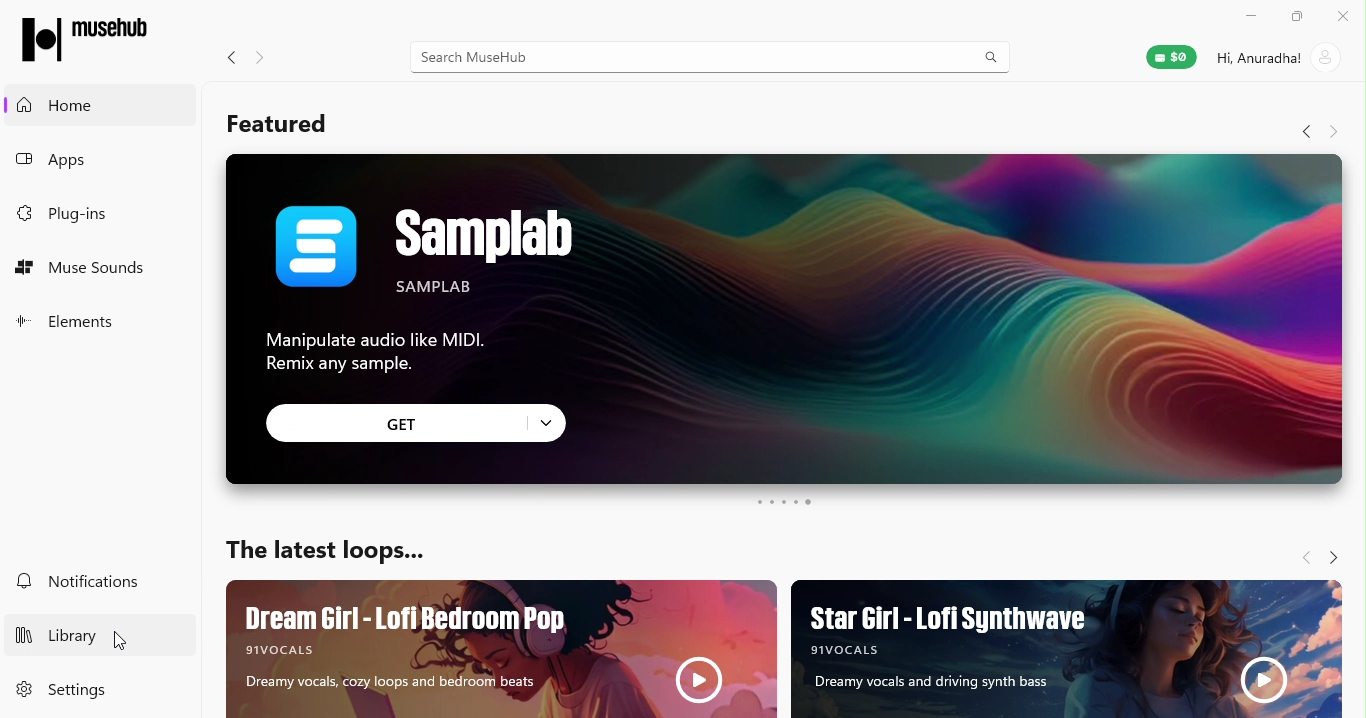 Image resolution: width=1366 pixels, height=718 pixels. What do you see at coordinates (97, 213) in the screenshot?
I see `Plug-ins` at bounding box center [97, 213].